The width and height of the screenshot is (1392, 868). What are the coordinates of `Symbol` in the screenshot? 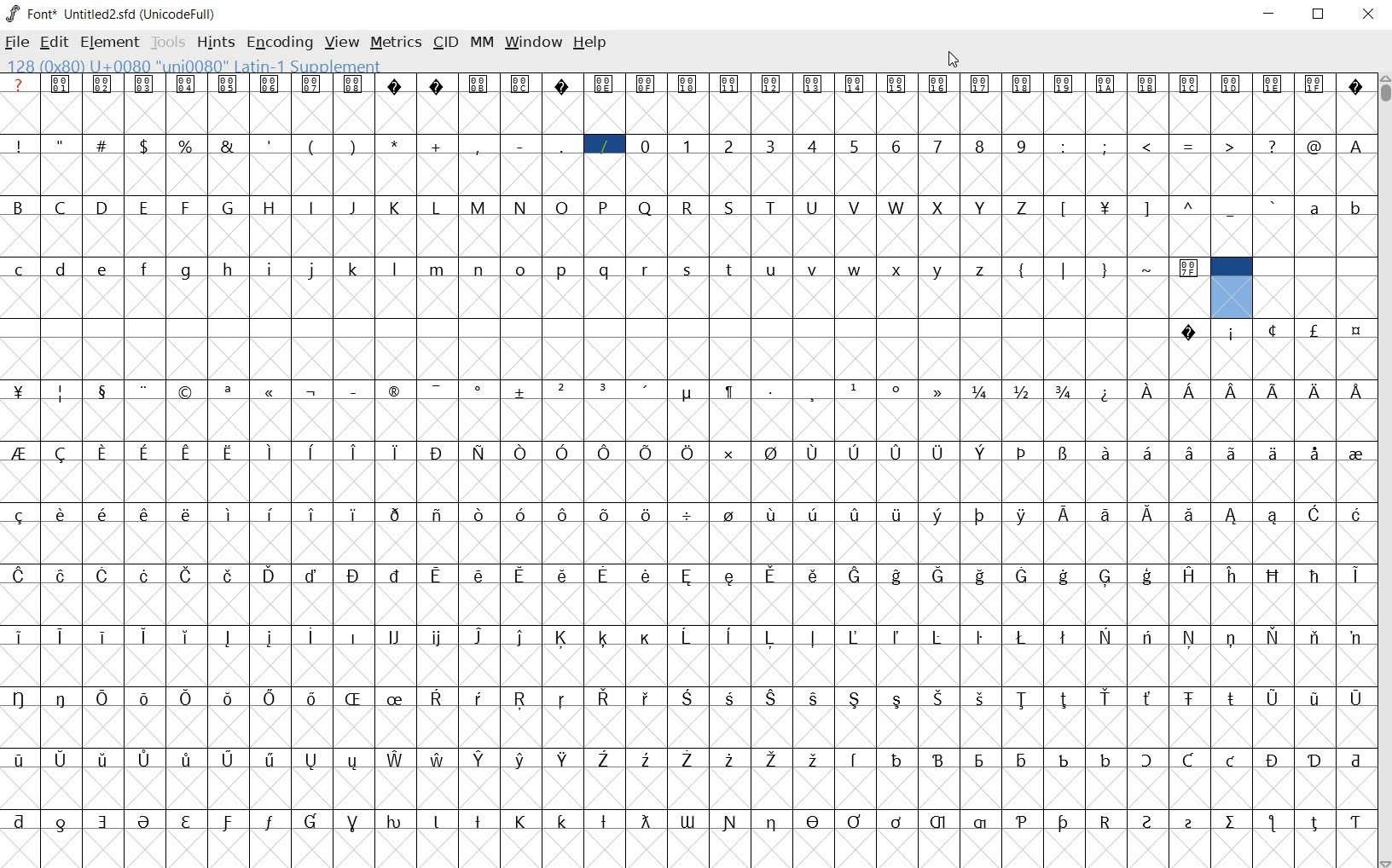 It's located at (146, 820).